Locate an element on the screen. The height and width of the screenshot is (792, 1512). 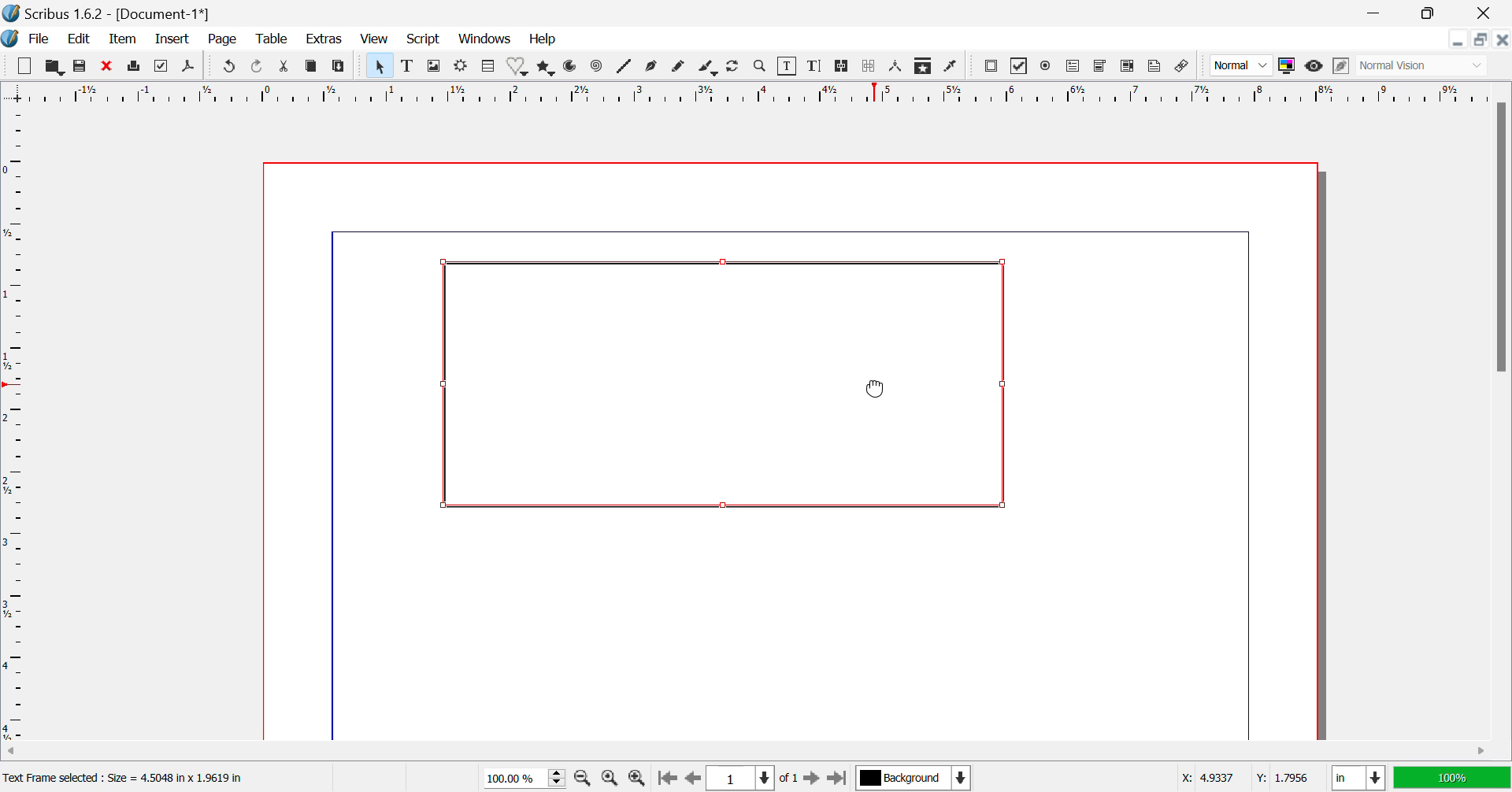
Edit in Preview Mode is located at coordinates (1341, 68).